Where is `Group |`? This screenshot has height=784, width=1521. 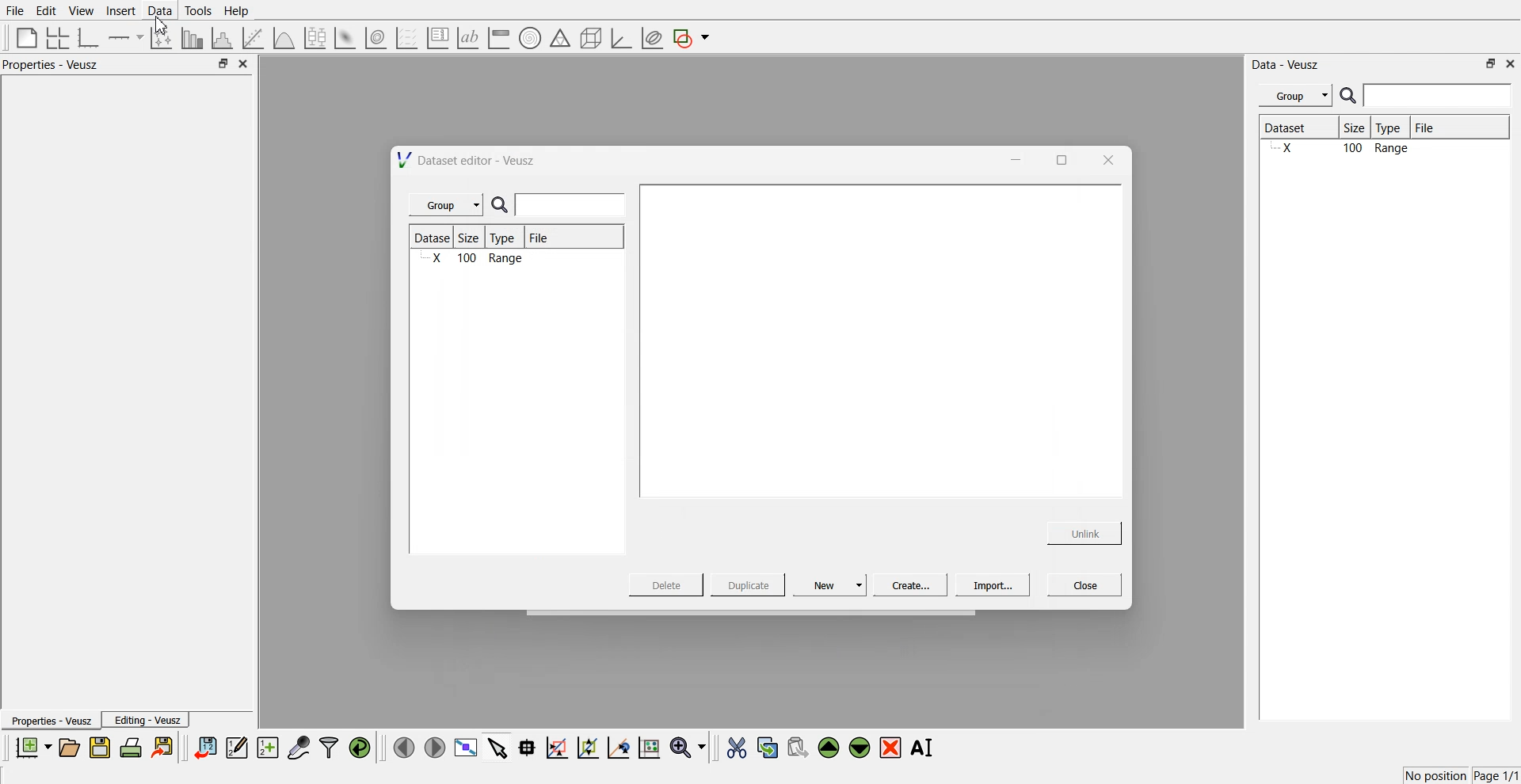
Group | is located at coordinates (448, 205).